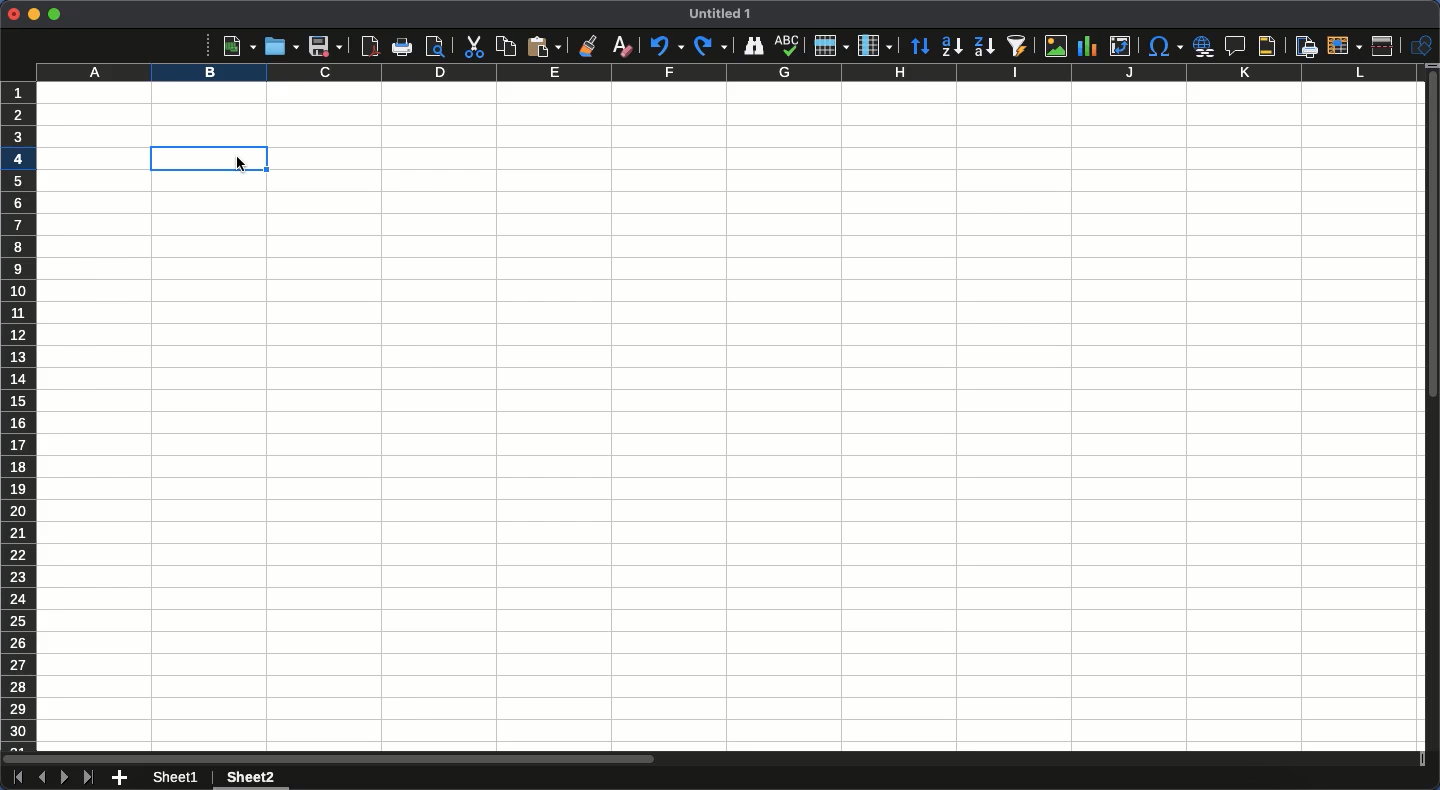  Describe the element at coordinates (1265, 47) in the screenshot. I see `Headers and footers` at that location.